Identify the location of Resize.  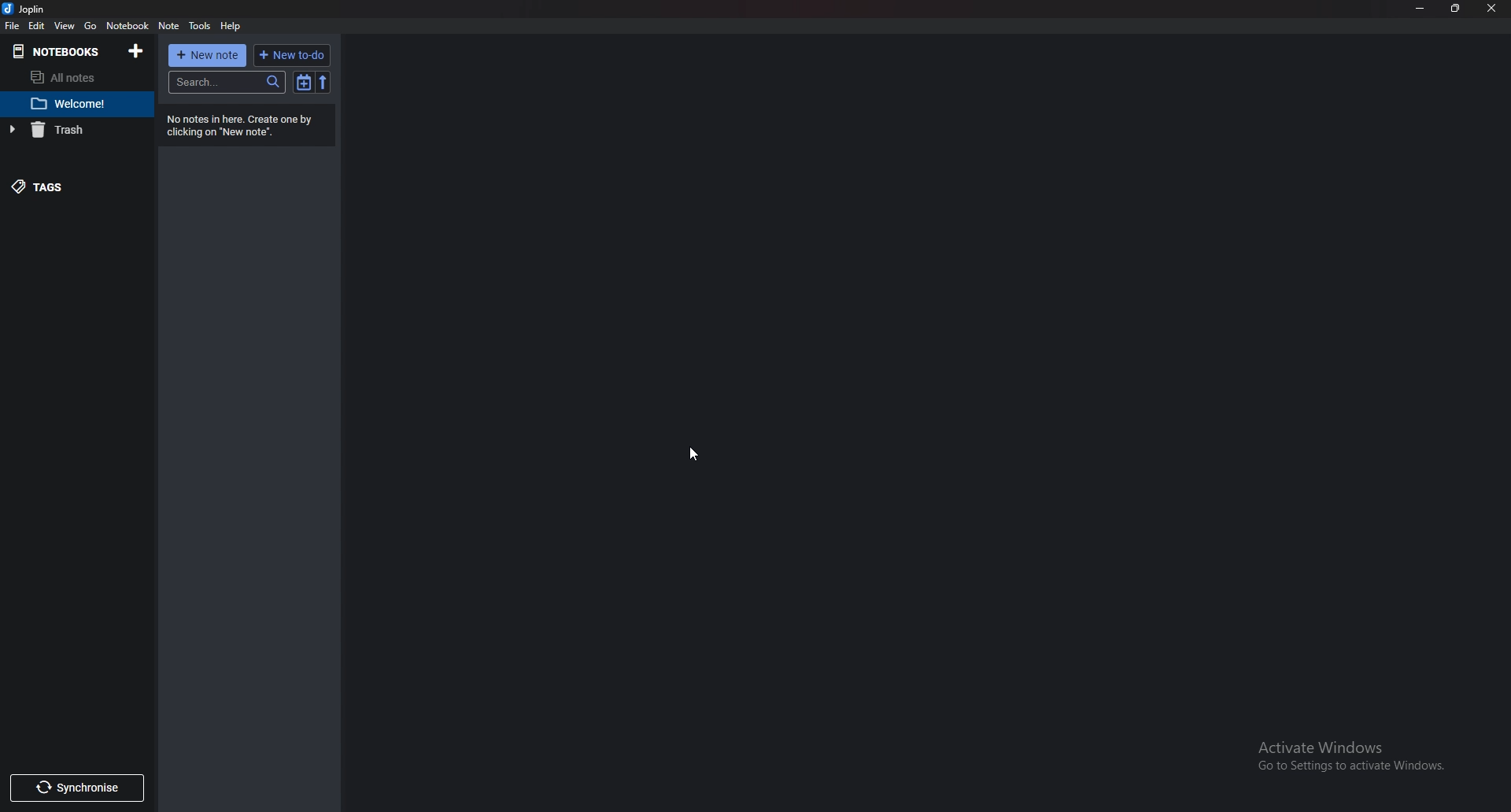
(1459, 9).